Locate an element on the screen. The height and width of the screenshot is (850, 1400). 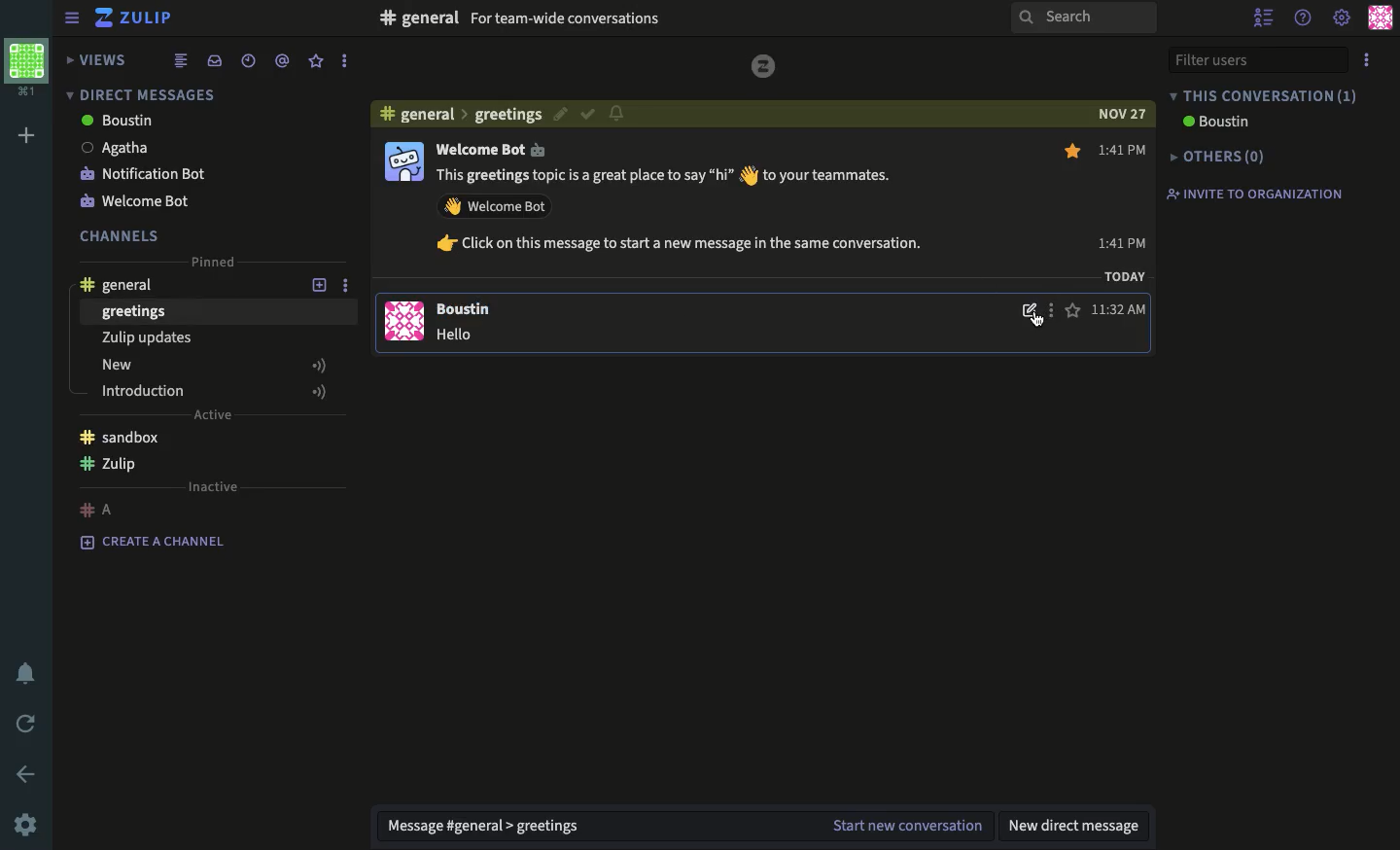
filter users is located at coordinates (1255, 57).